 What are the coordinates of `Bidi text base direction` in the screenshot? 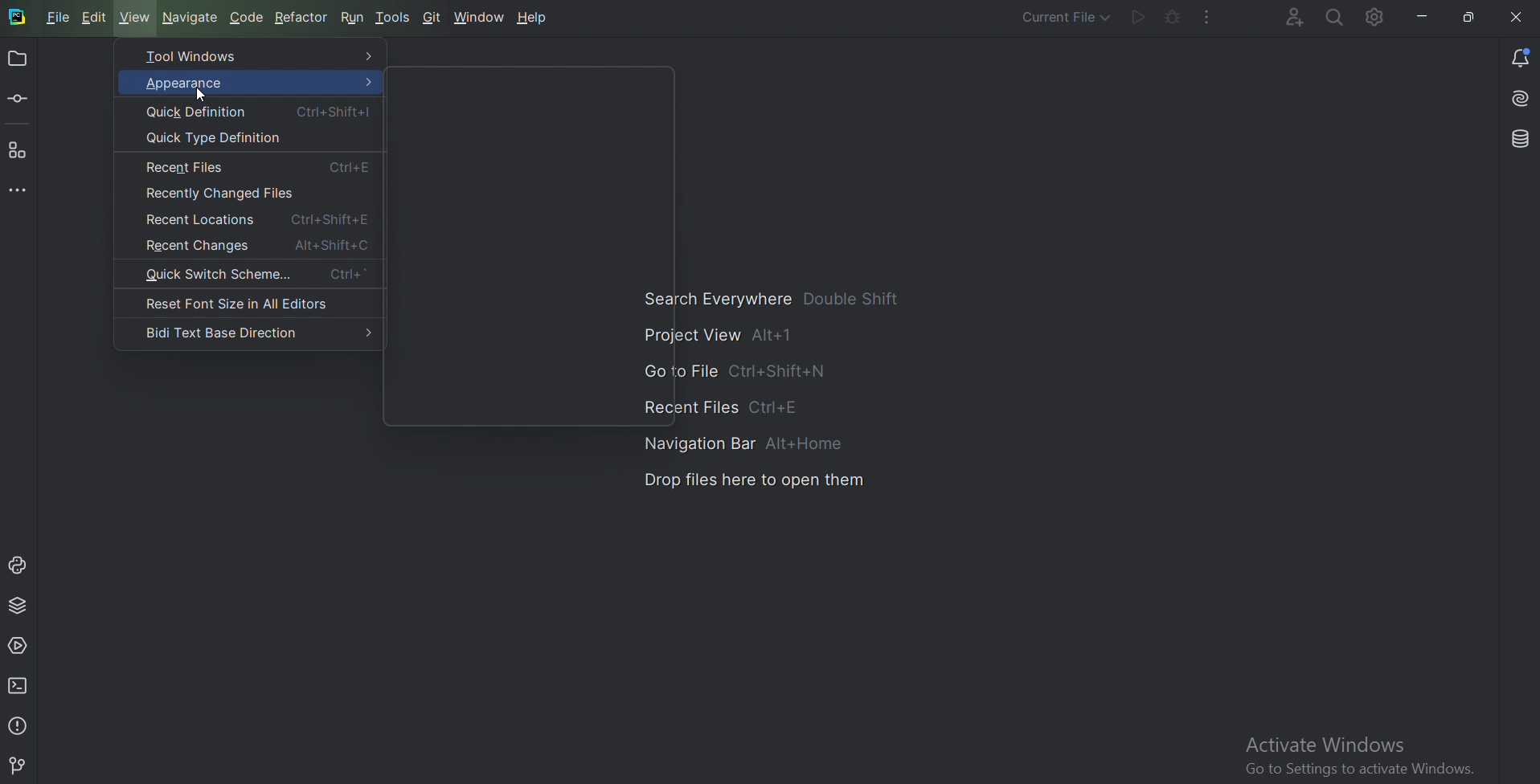 It's located at (257, 332).